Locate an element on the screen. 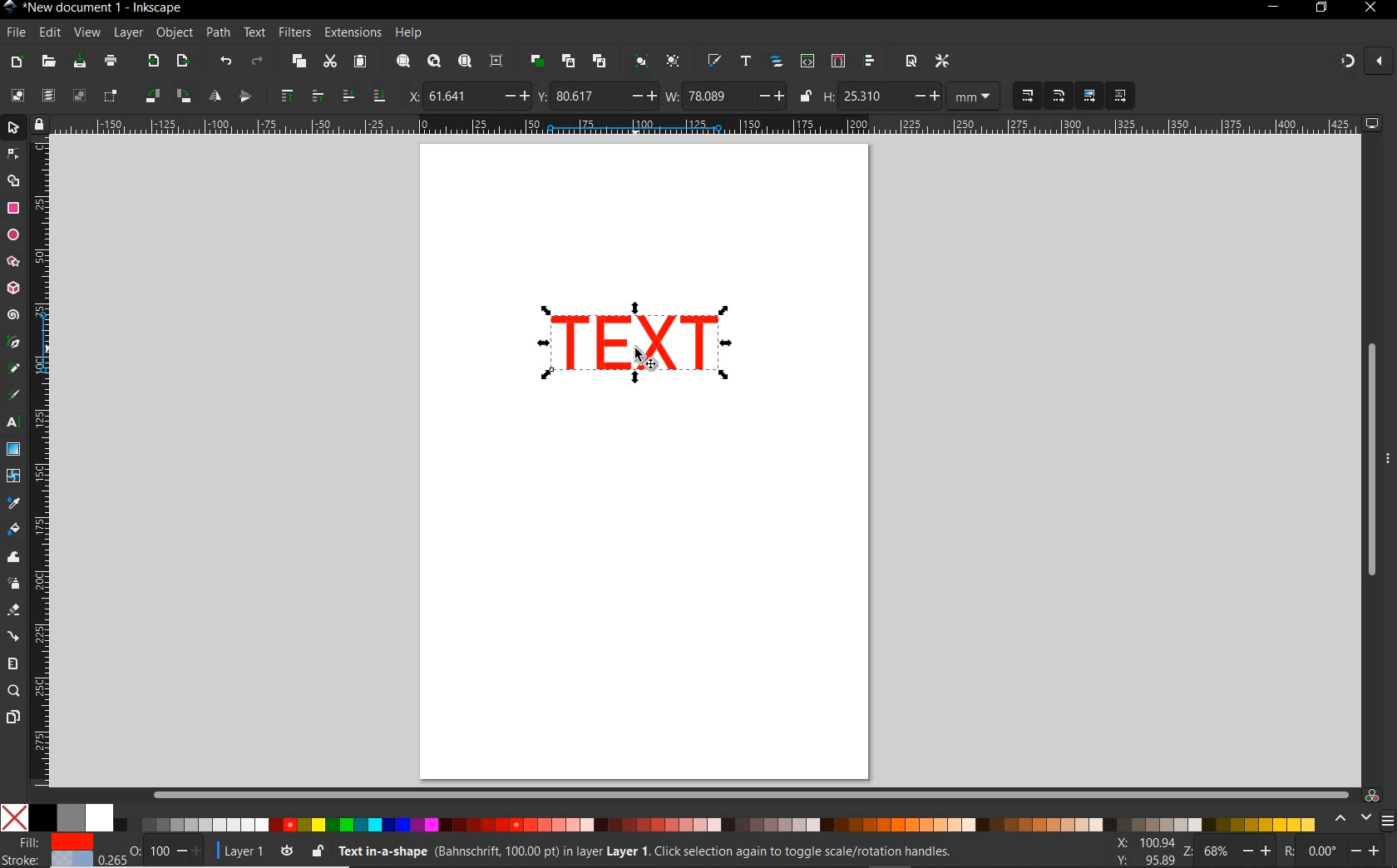  open fill and stroke is located at coordinates (715, 62).